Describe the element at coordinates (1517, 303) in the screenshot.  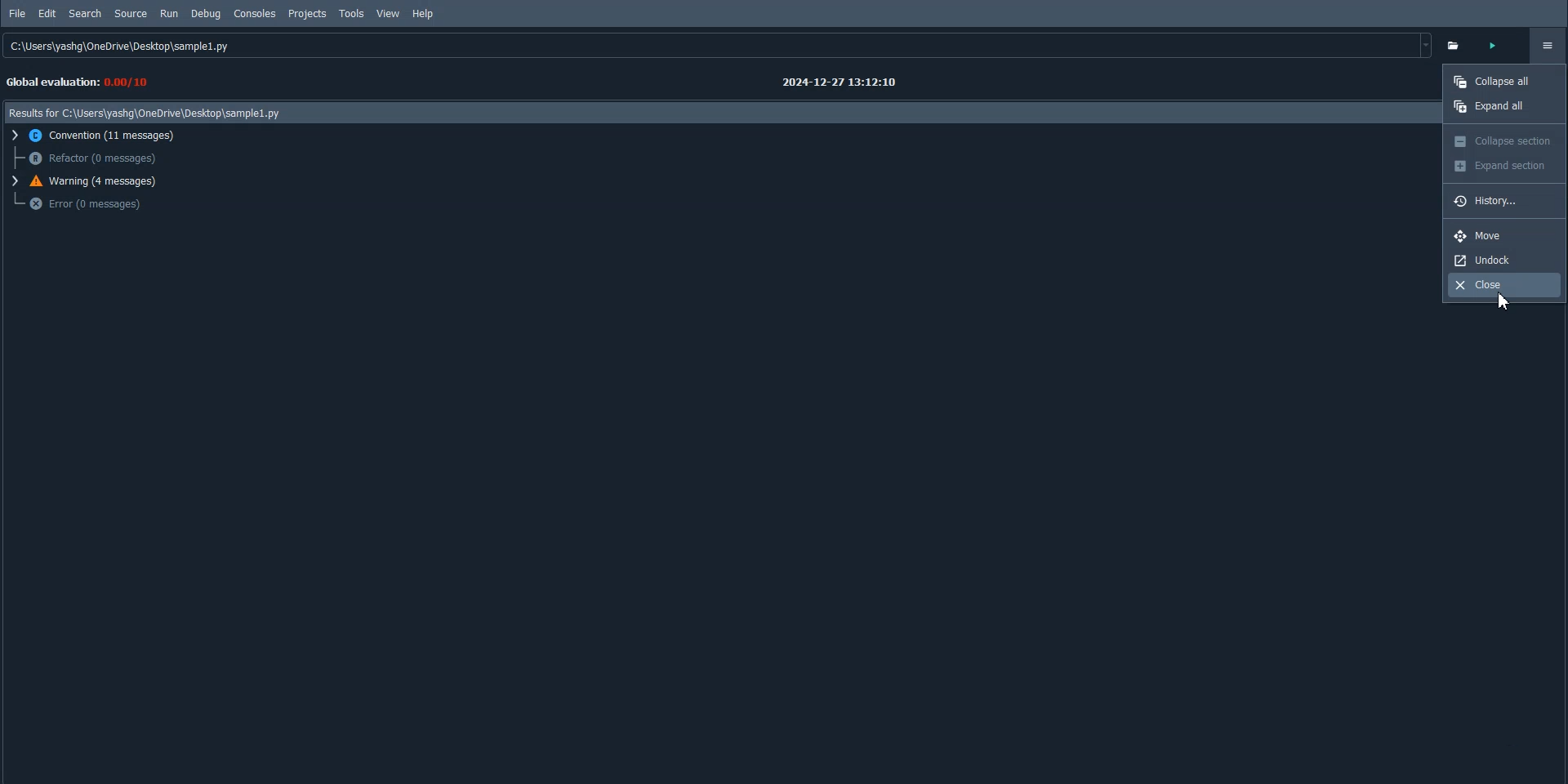
I see `cursor on close` at that location.